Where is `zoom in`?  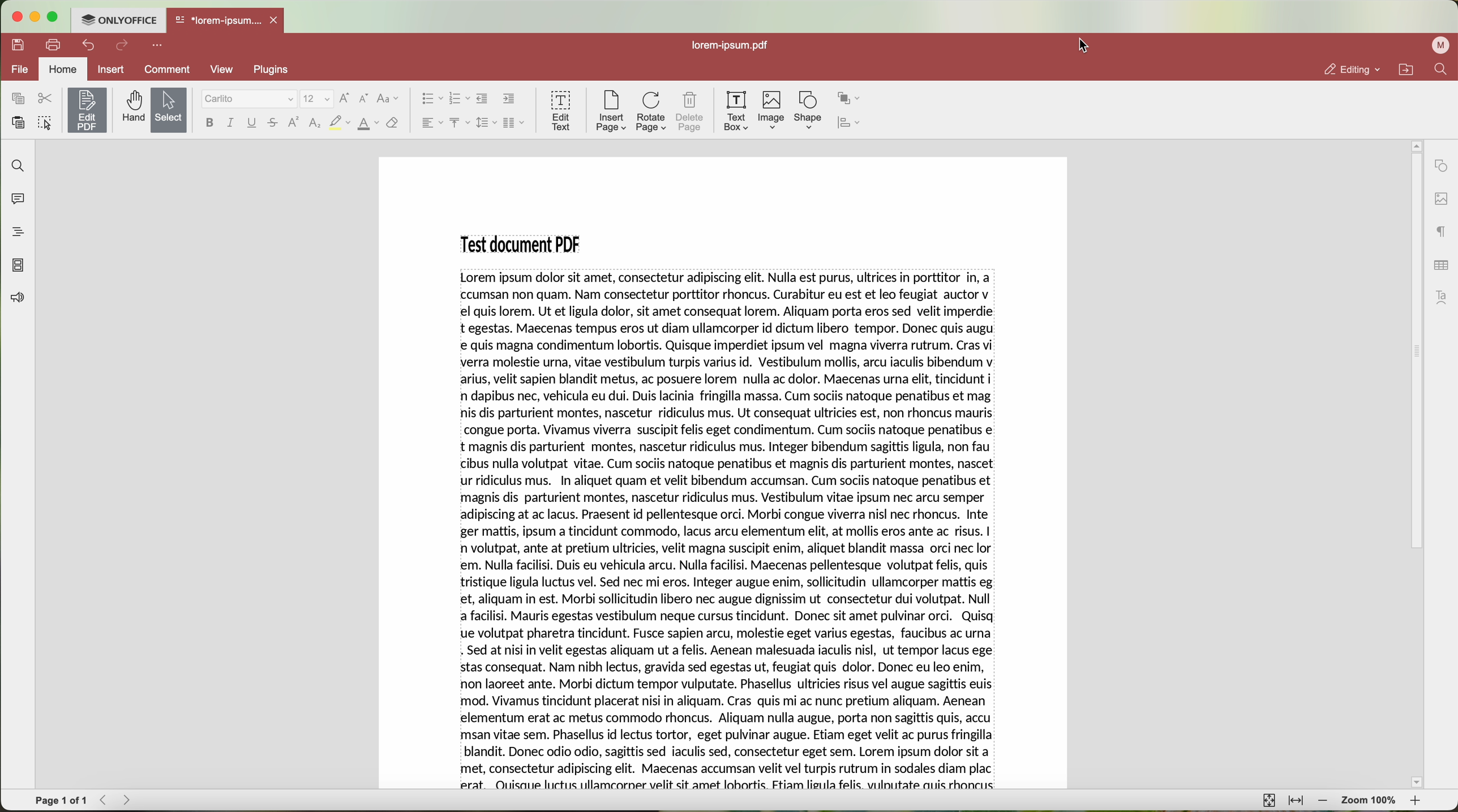 zoom in is located at coordinates (1418, 800).